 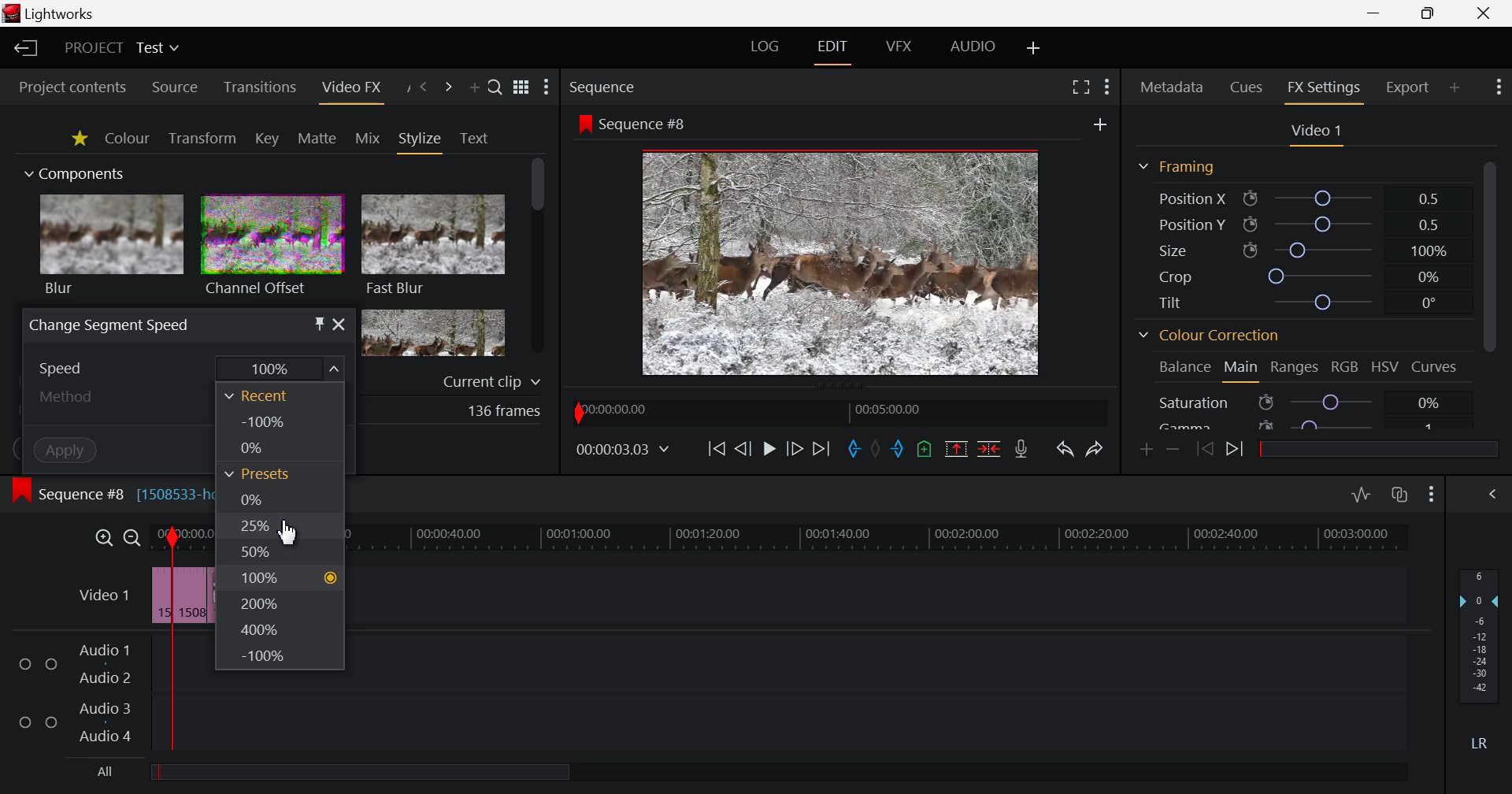 What do you see at coordinates (1209, 336) in the screenshot?
I see `Colour Correction` at bounding box center [1209, 336].